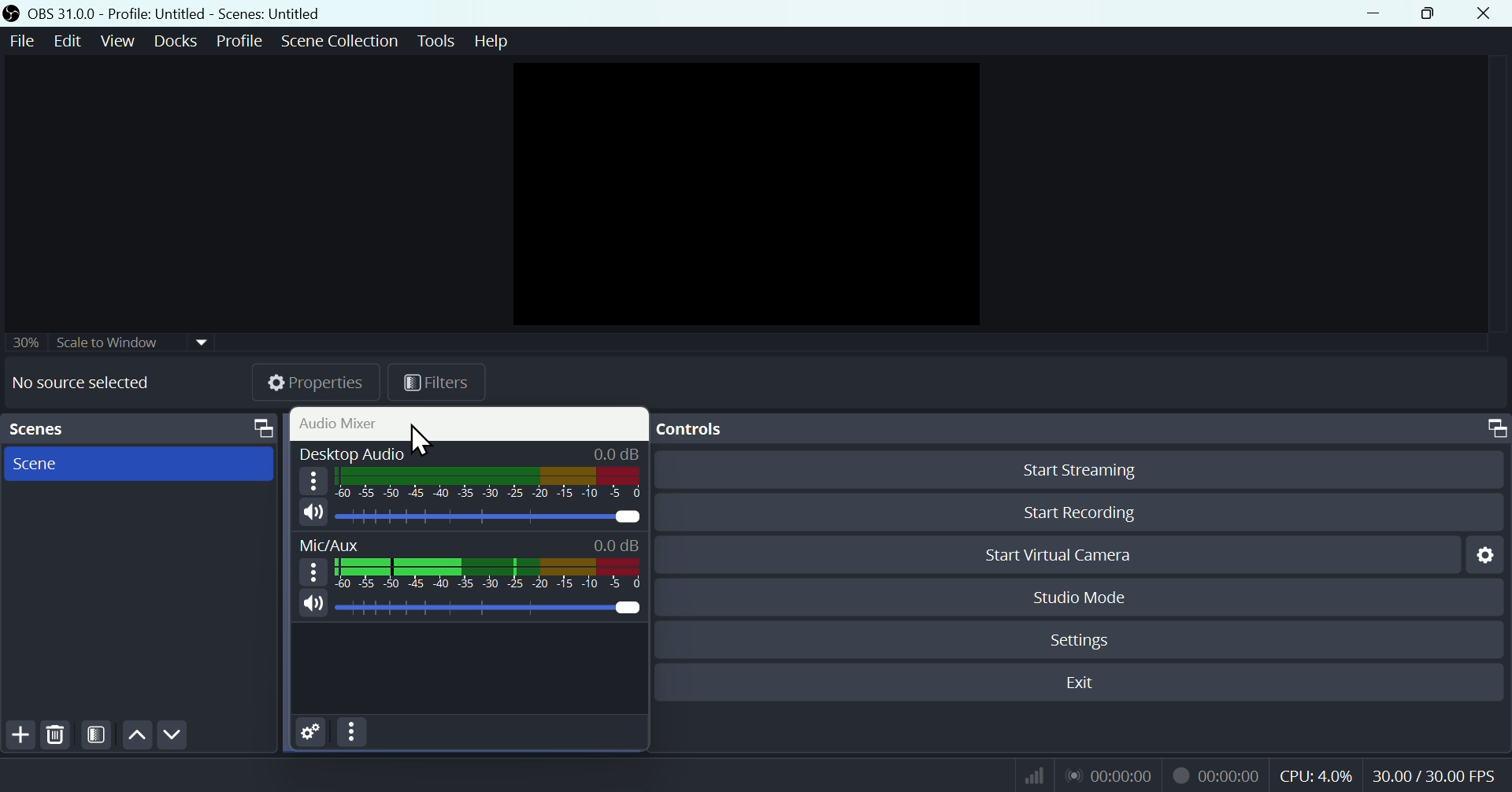  What do you see at coordinates (69, 40) in the screenshot?
I see `Edit` at bounding box center [69, 40].